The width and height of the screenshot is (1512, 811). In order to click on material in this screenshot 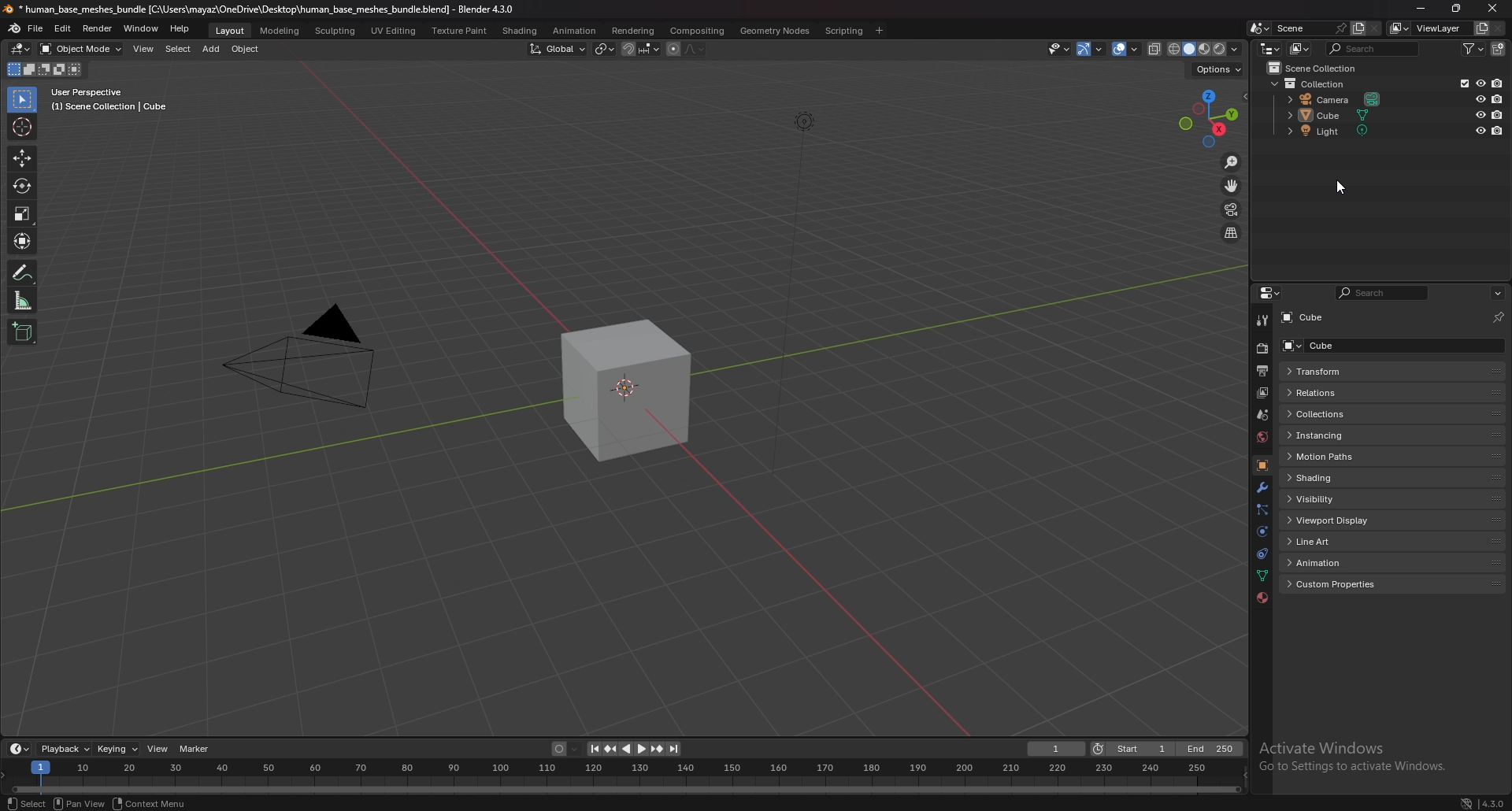, I will do `click(1262, 597)`.